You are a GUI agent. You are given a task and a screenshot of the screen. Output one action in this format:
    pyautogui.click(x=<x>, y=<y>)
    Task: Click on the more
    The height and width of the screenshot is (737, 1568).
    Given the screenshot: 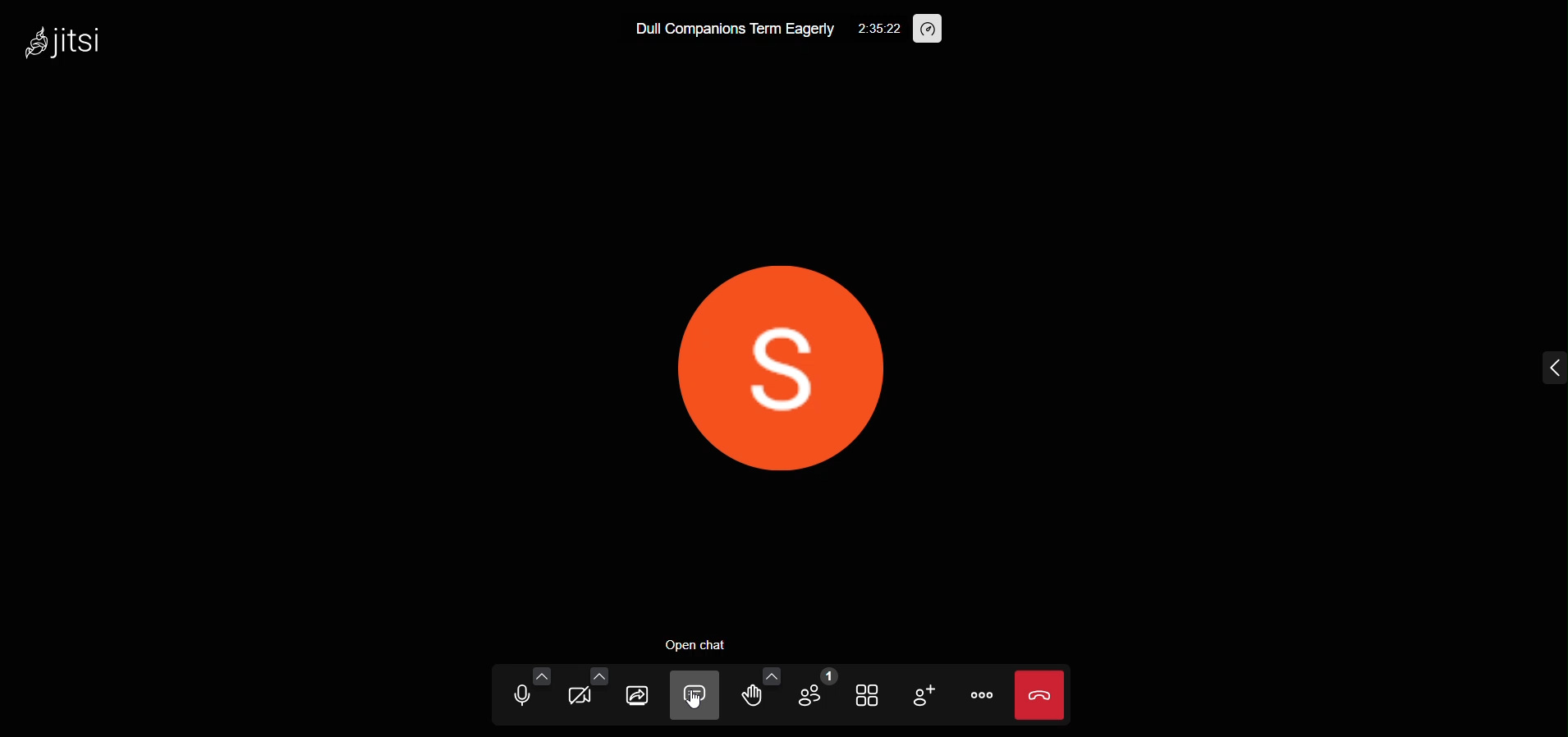 What is the action you would take?
    pyautogui.click(x=982, y=697)
    